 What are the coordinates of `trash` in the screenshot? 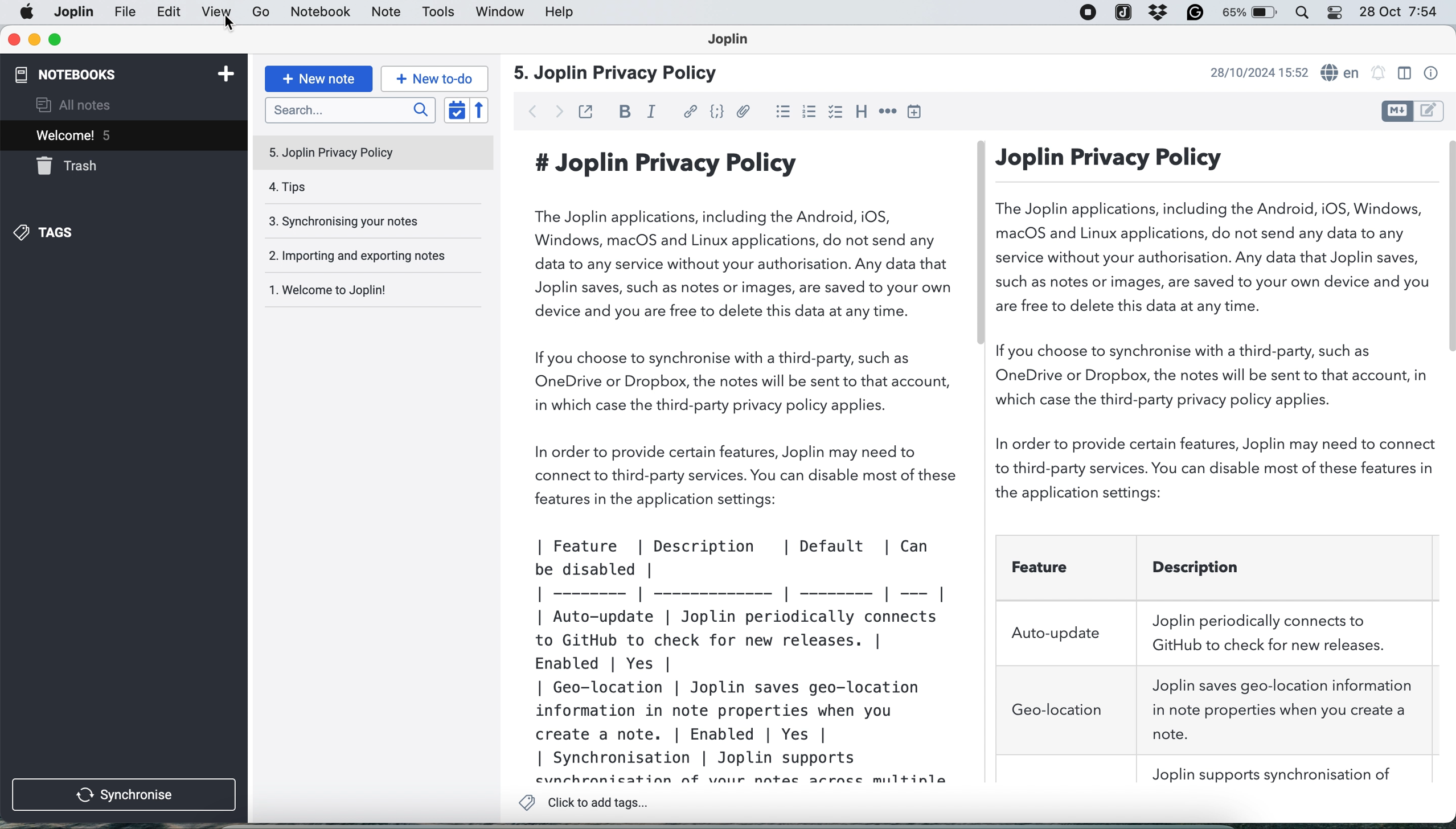 It's located at (68, 166).